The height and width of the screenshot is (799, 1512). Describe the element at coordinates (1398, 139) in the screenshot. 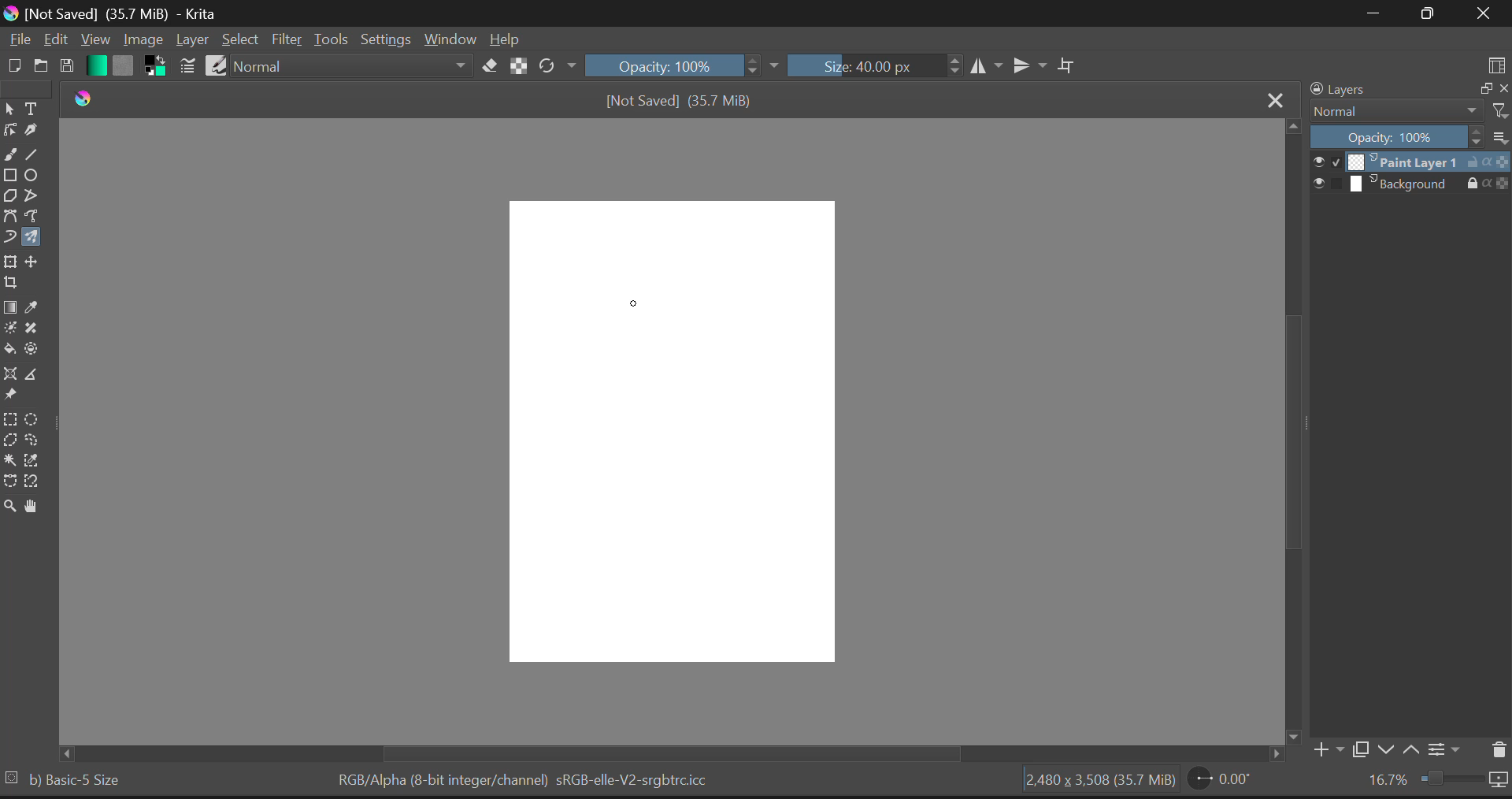

I see `Opacity` at that location.